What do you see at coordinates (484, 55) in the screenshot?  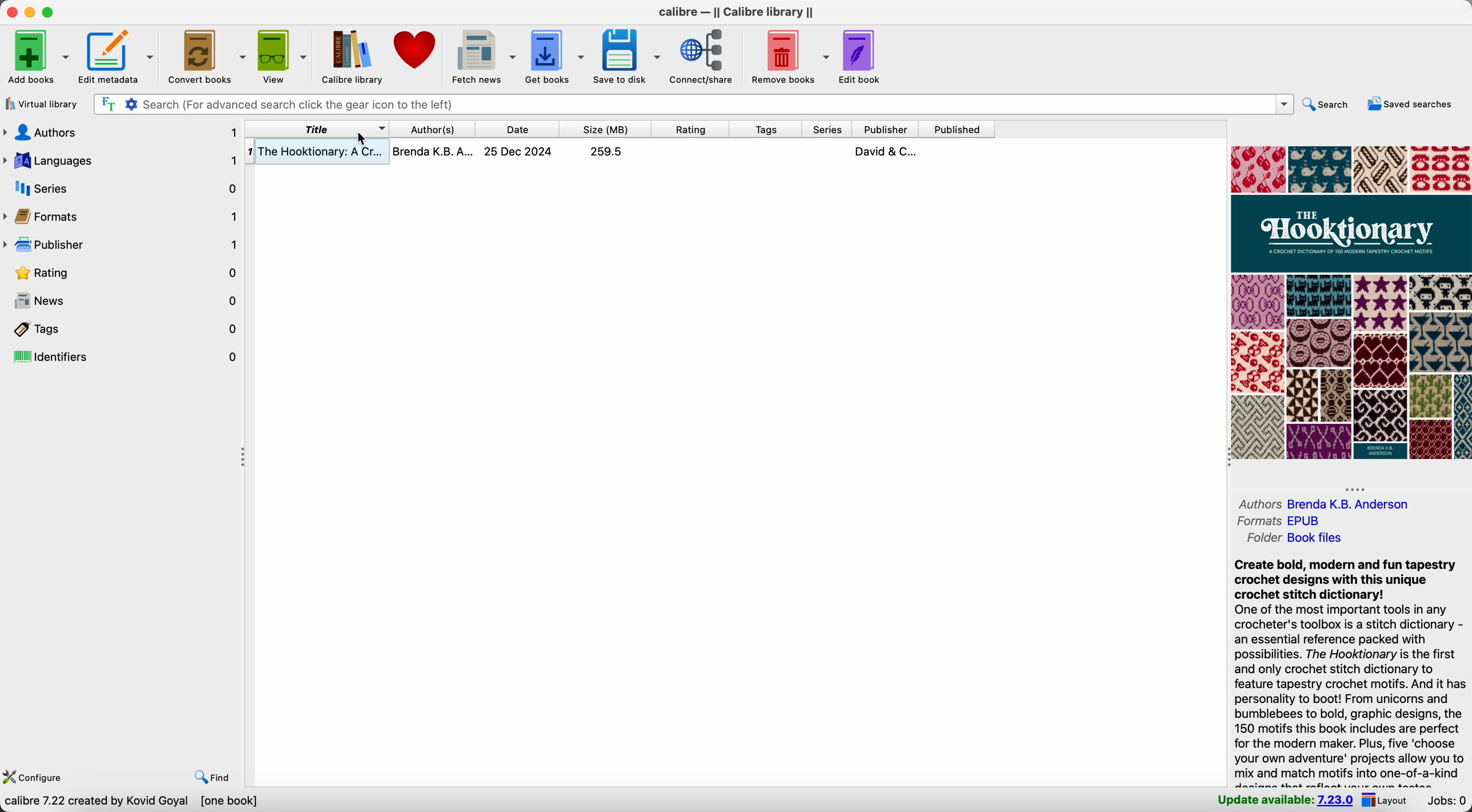 I see `fetch news` at bounding box center [484, 55].